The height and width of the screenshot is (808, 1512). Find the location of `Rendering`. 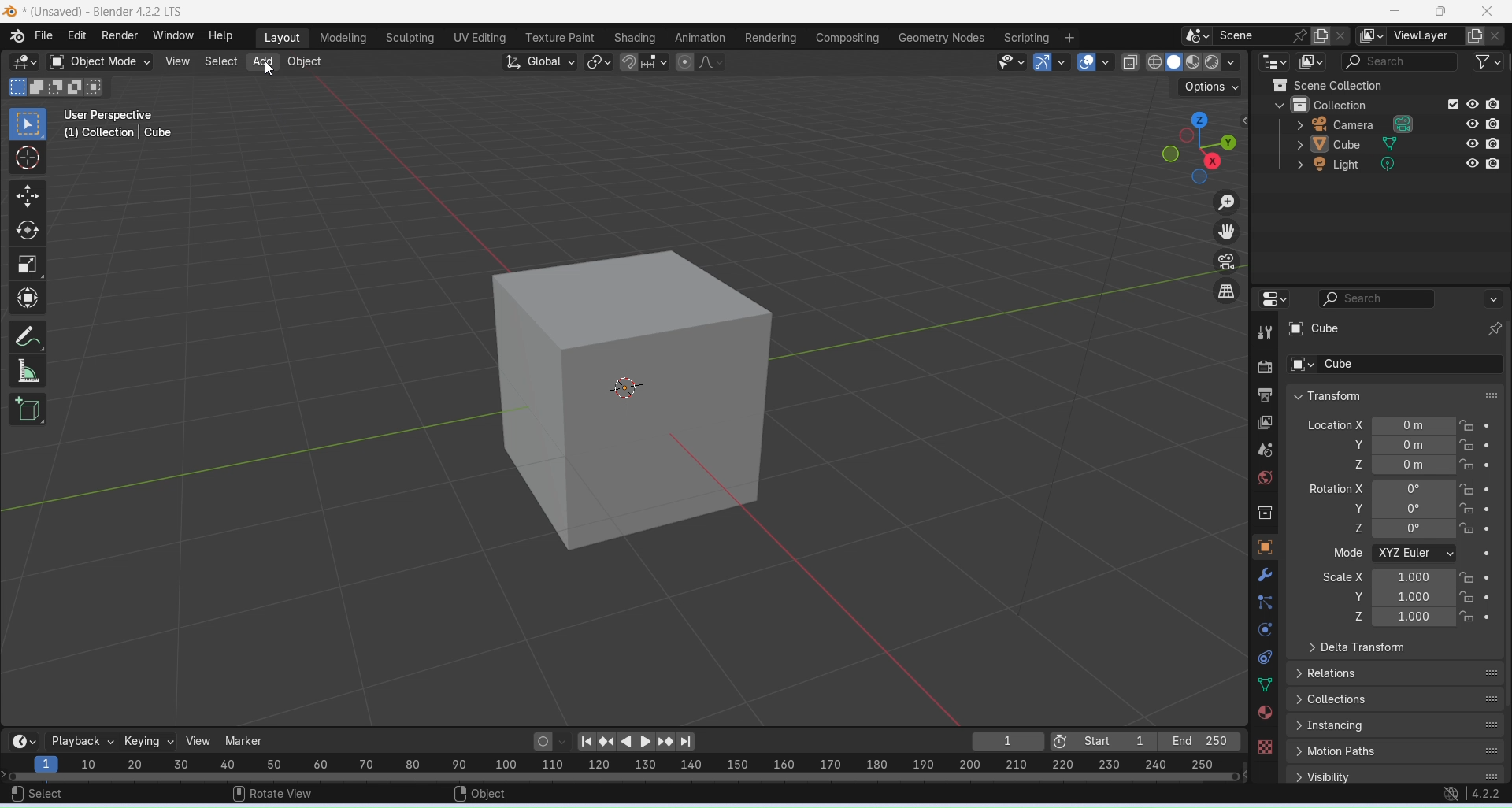

Rendering is located at coordinates (770, 38).